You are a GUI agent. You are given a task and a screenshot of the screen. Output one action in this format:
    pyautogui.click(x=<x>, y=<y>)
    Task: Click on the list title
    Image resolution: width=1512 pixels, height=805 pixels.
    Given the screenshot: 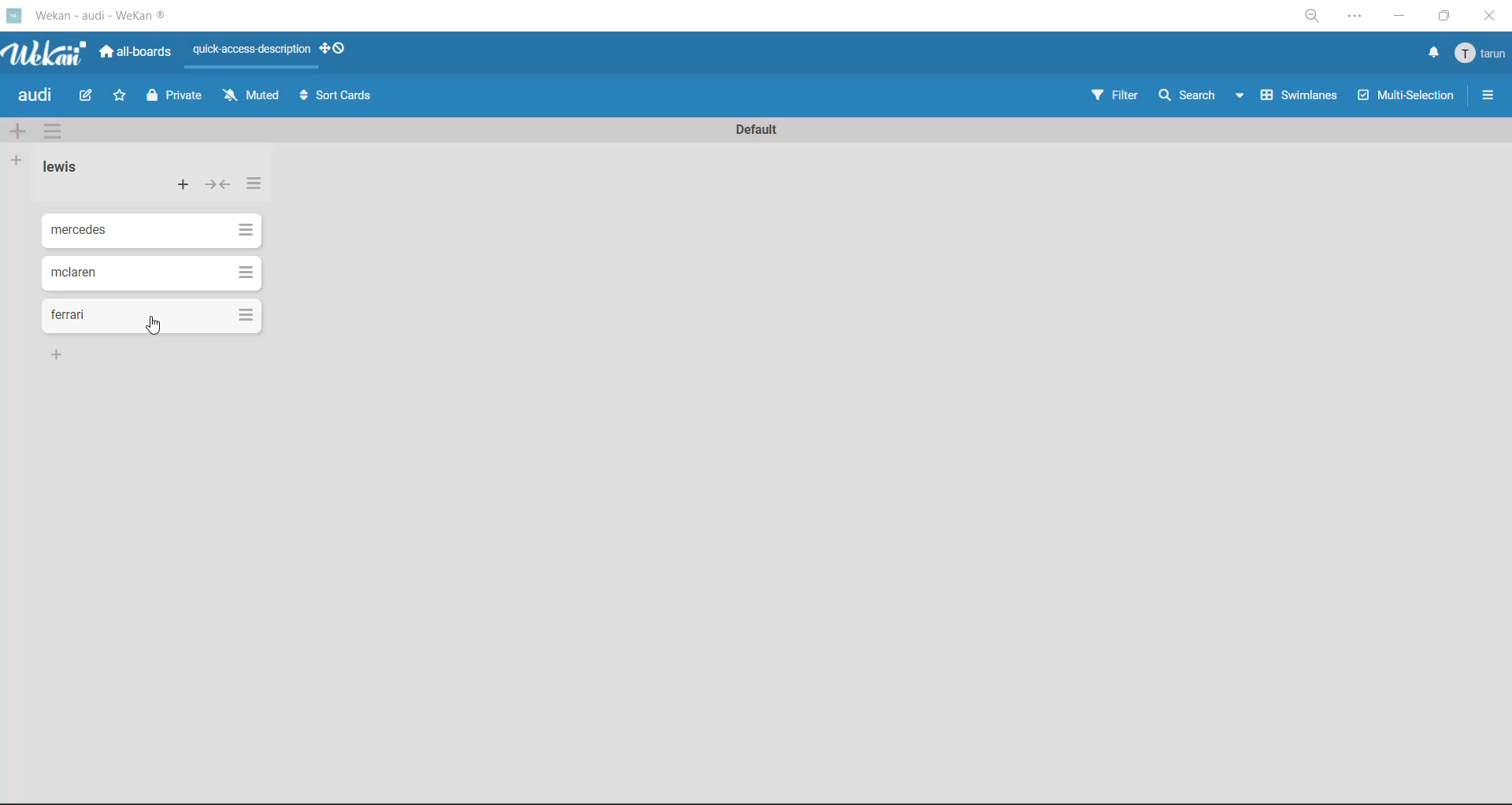 What is the action you would take?
    pyautogui.click(x=60, y=167)
    